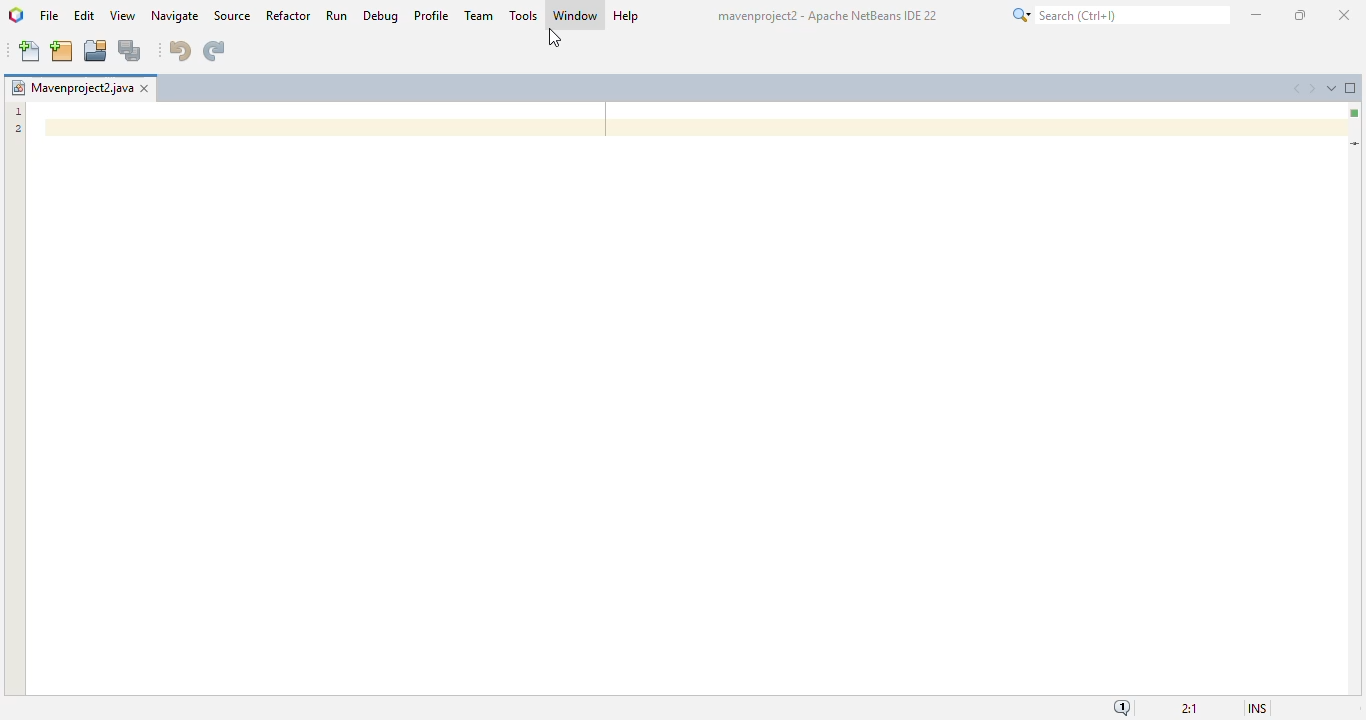  What do you see at coordinates (214, 51) in the screenshot?
I see `redo` at bounding box center [214, 51].